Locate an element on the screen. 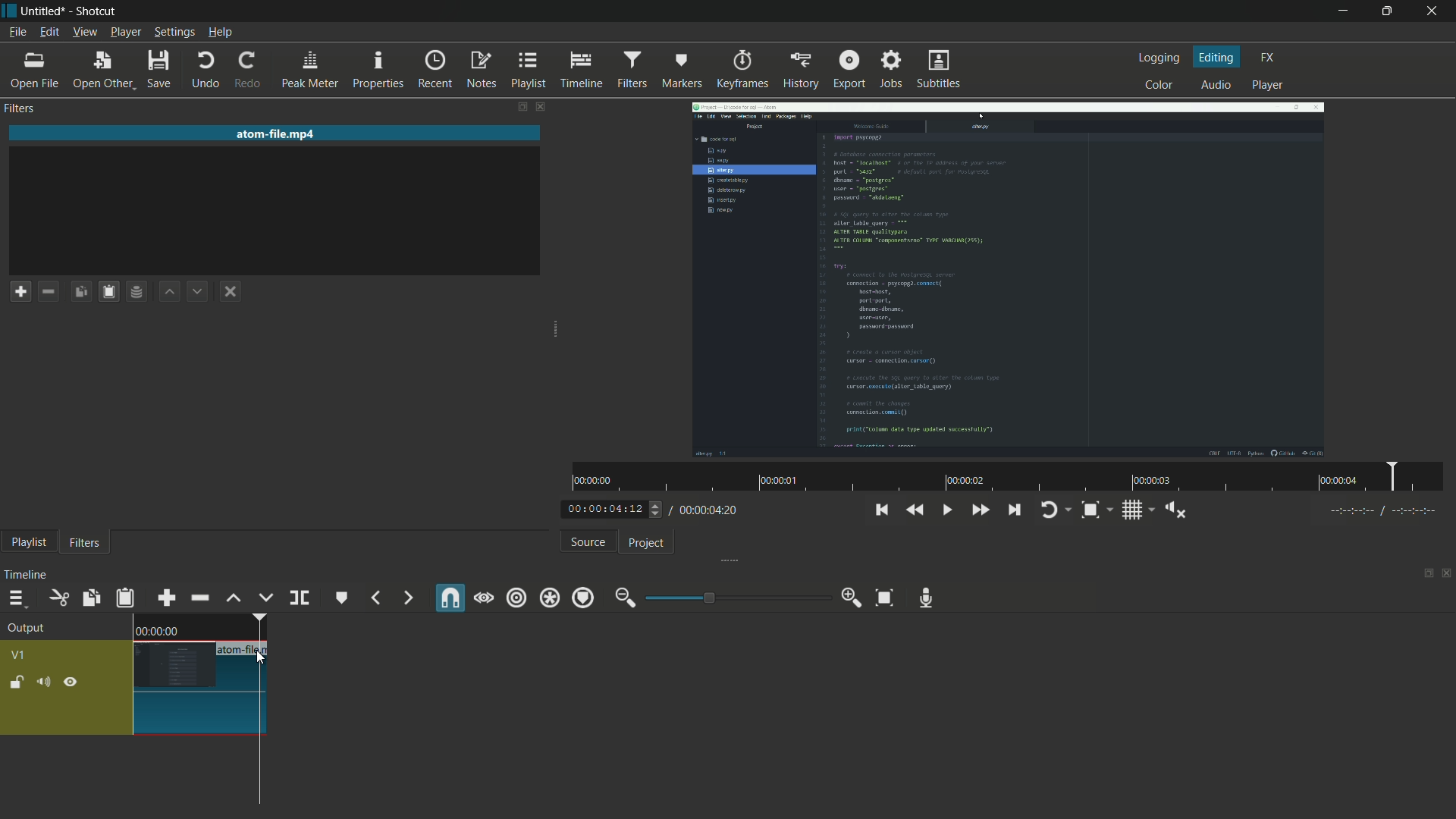 The width and height of the screenshot is (1456, 819). view menu is located at coordinates (84, 33).